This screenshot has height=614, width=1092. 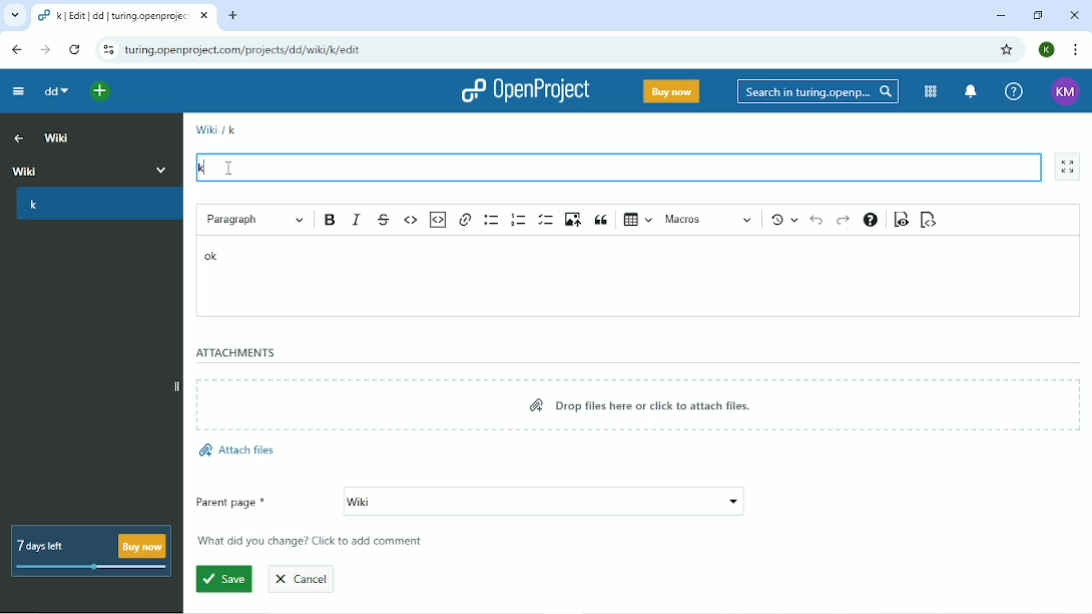 I want to click on Collapse project menu, so click(x=17, y=93).